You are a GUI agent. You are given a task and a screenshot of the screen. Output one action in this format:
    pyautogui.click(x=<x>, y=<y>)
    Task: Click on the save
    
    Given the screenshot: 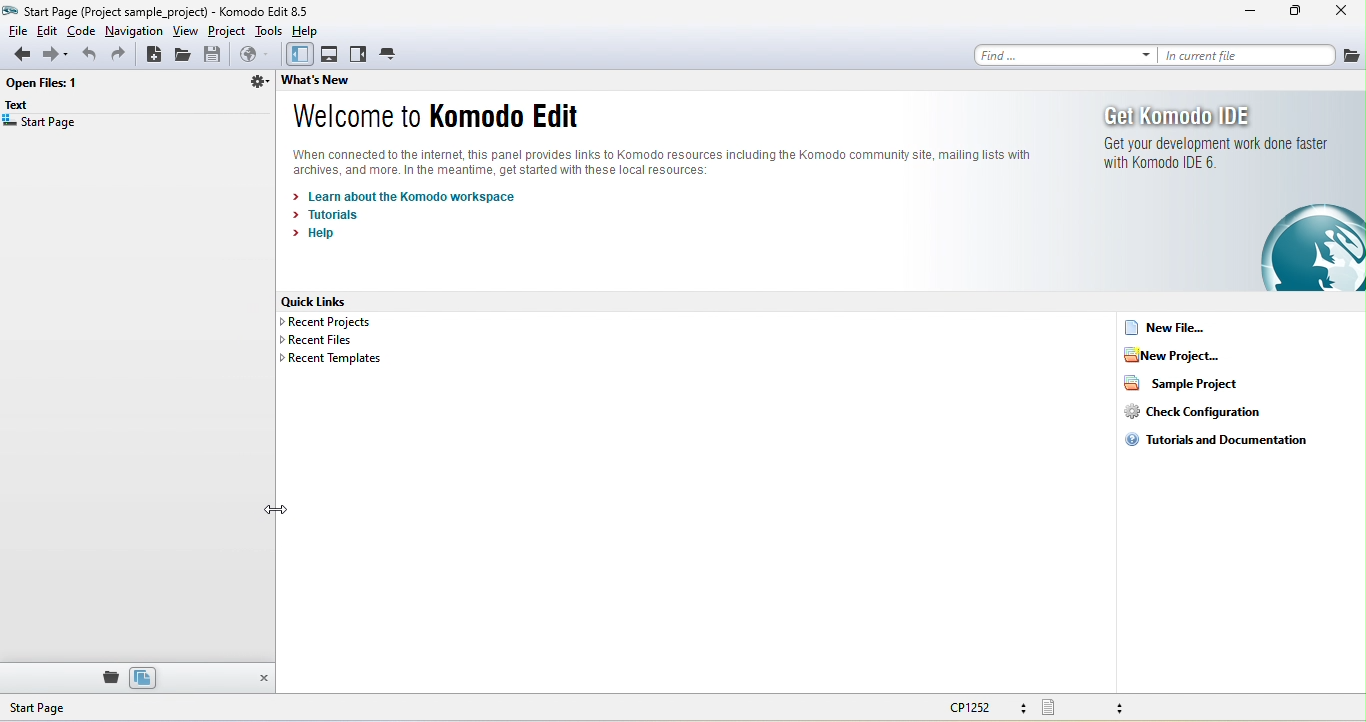 What is the action you would take?
    pyautogui.click(x=215, y=55)
    